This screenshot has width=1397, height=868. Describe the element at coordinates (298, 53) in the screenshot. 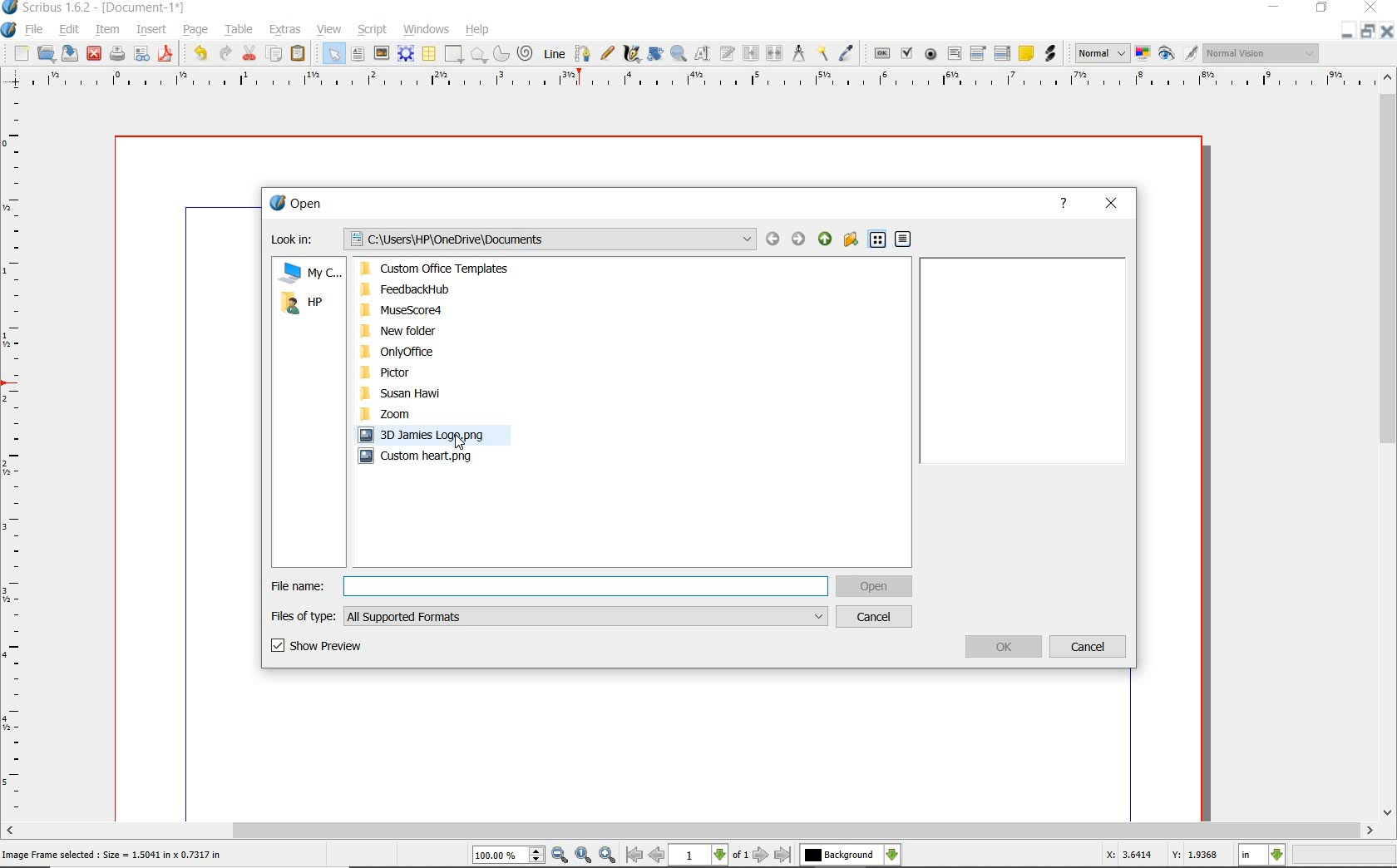

I see `paste` at that location.